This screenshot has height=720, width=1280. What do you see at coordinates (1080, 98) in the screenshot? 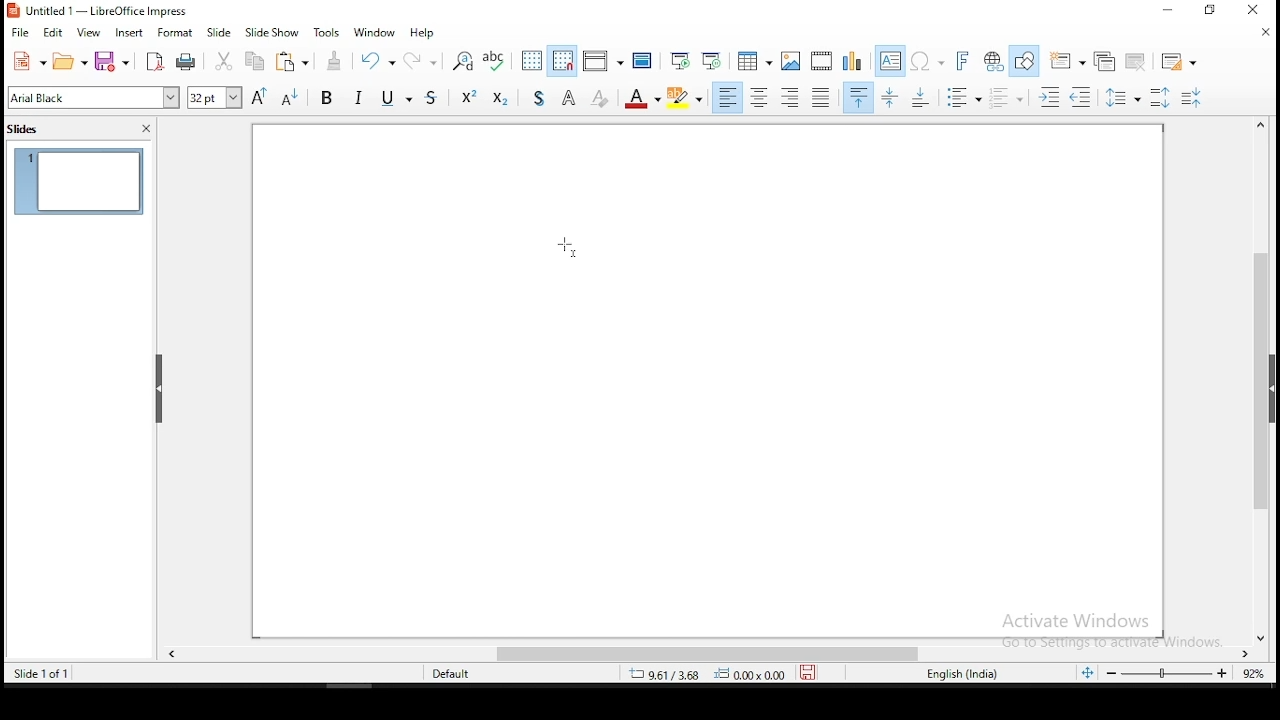
I see `Decrease Indent` at bounding box center [1080, 98].